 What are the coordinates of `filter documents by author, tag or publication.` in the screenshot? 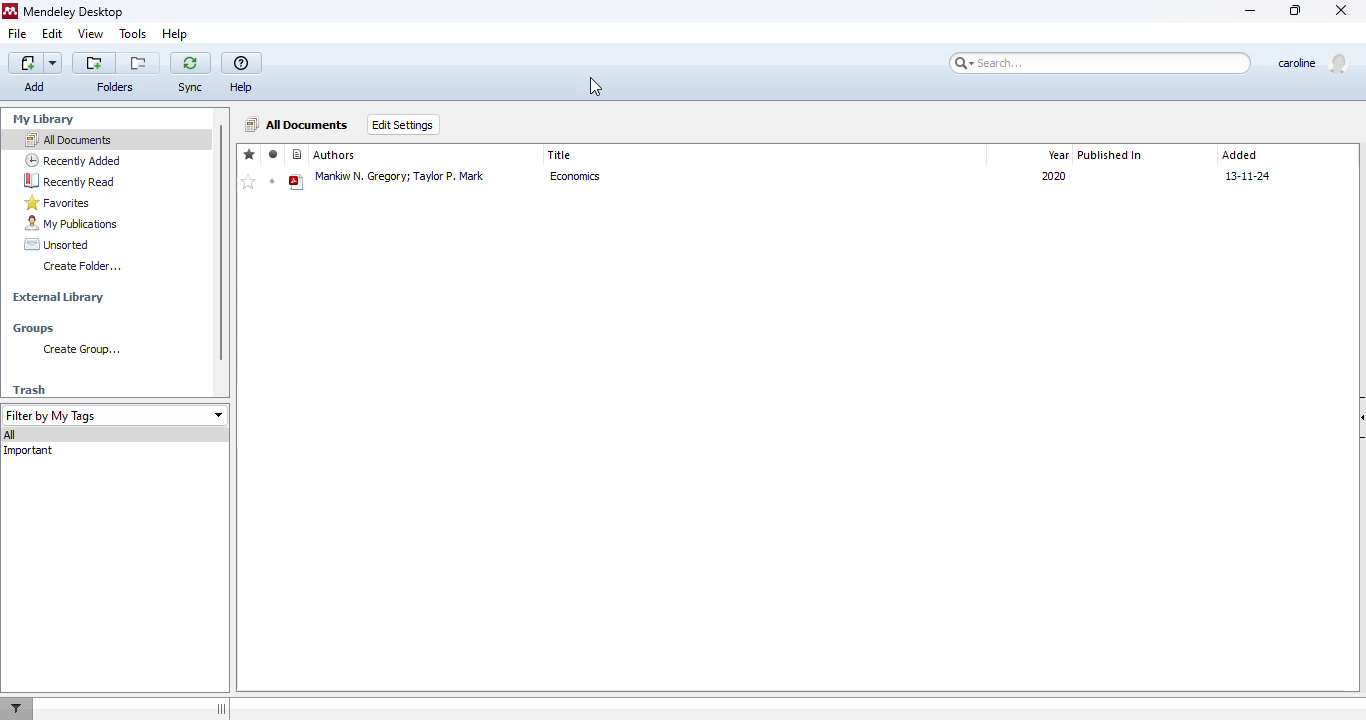 It's located at (17, 709).